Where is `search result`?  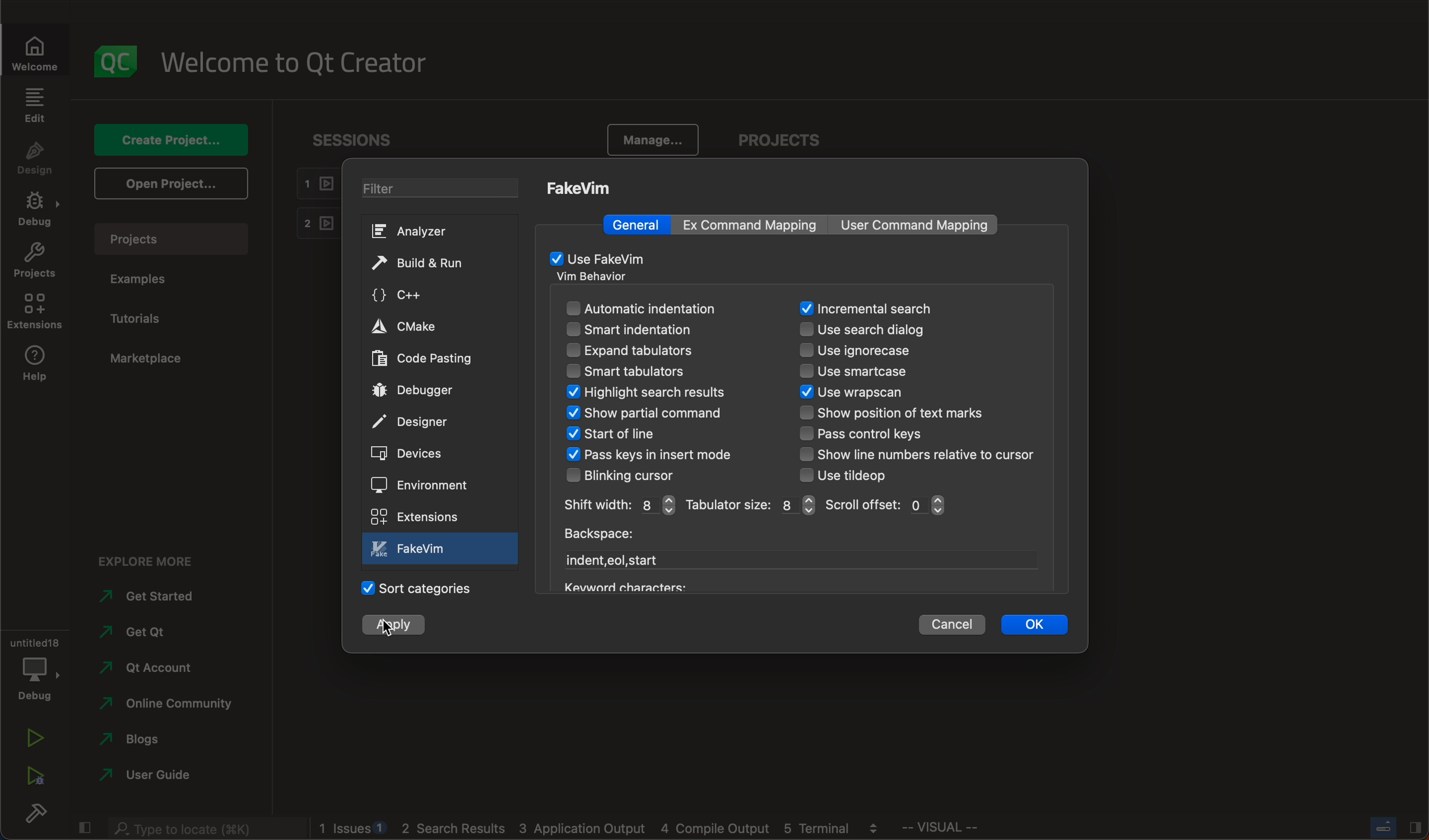
search result is located at coordinates (666, 393).